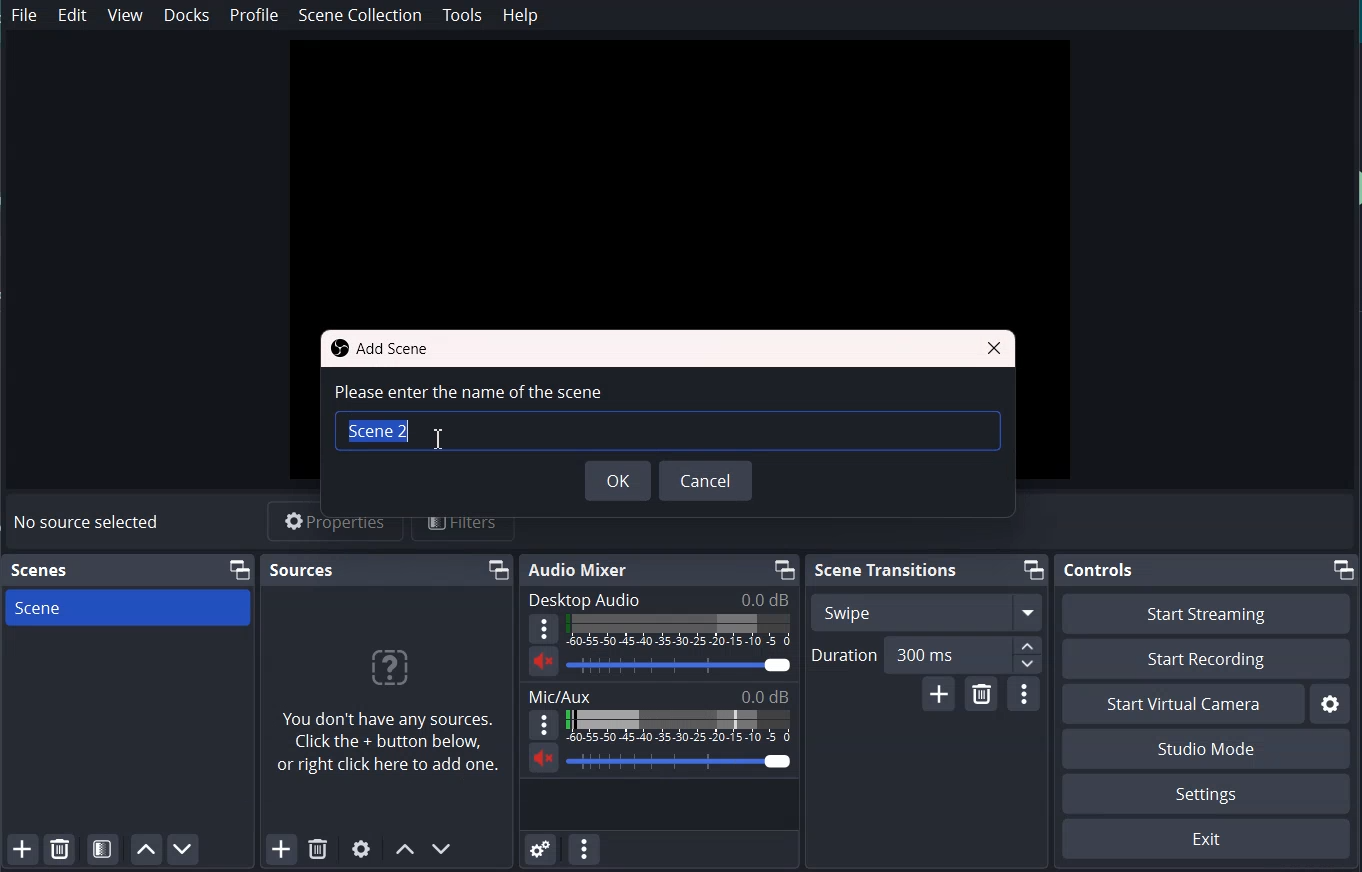 Image resolution: width=1362 pixels, height=872 pixels. What do you see at coordinates (619, 483) in the screenshot?
I see `OK` at bounding box center [619, 483].